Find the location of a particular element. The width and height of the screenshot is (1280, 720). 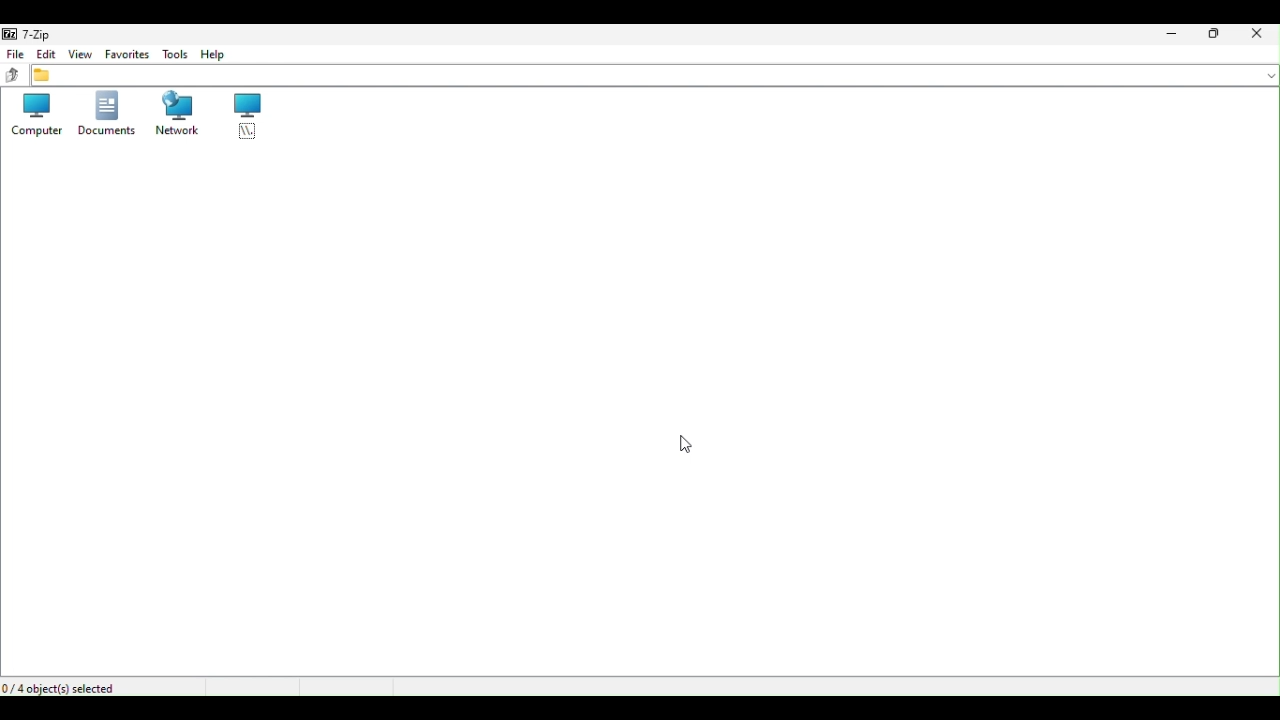

view is located at coordinates (82, 52).